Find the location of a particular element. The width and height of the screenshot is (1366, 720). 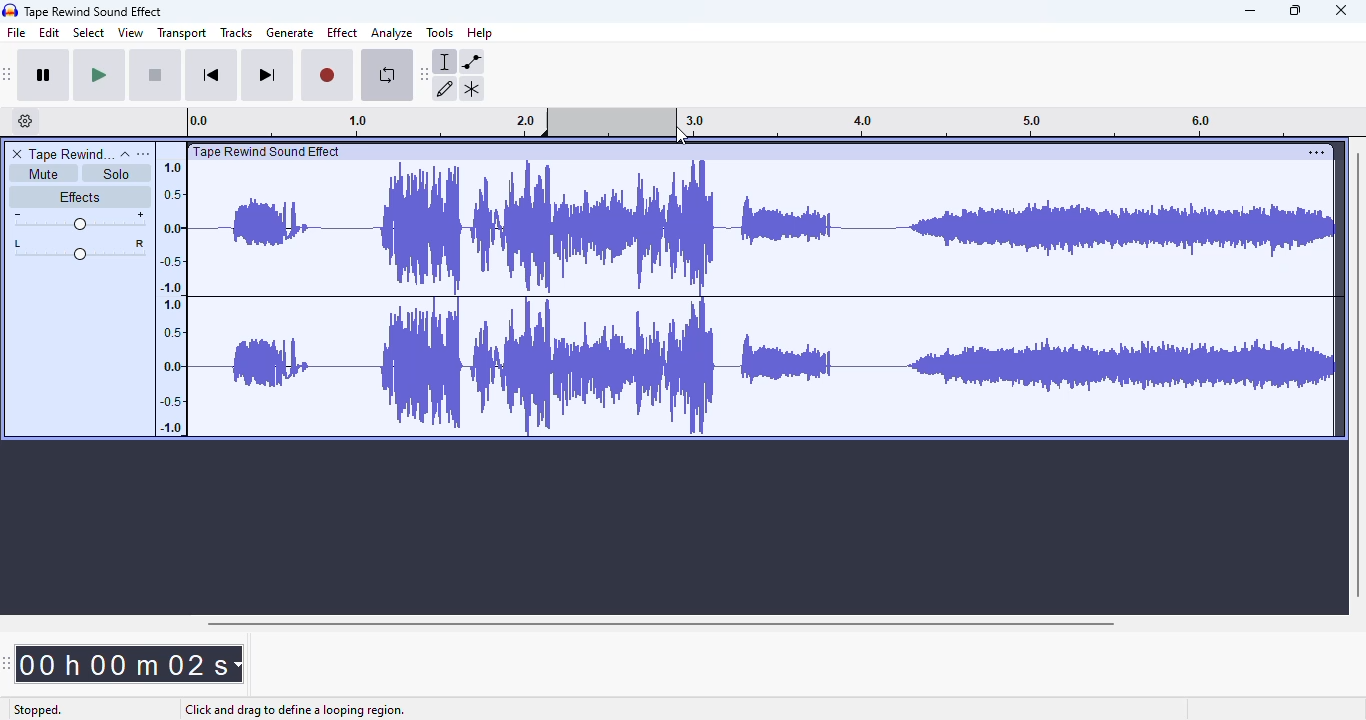

vertical scroll bar is located at coordinates (1359, 370).